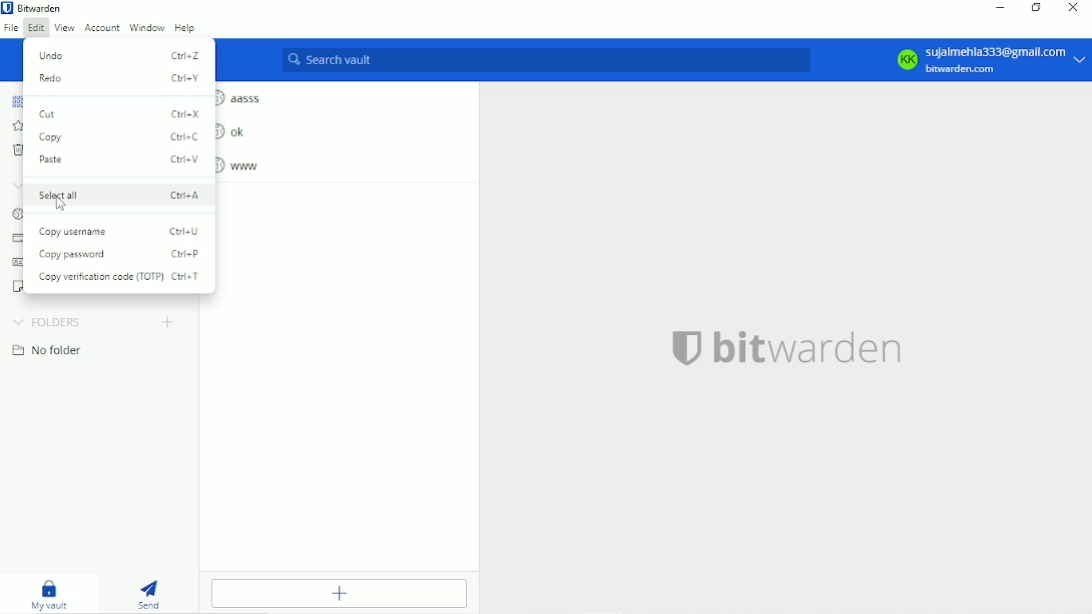 Image resolution: width=1092 pixels, height=614 pixels. What do you see at coordinates (152, 592) in the screenshot?
I see `Send` at bounding box center [152, 592].